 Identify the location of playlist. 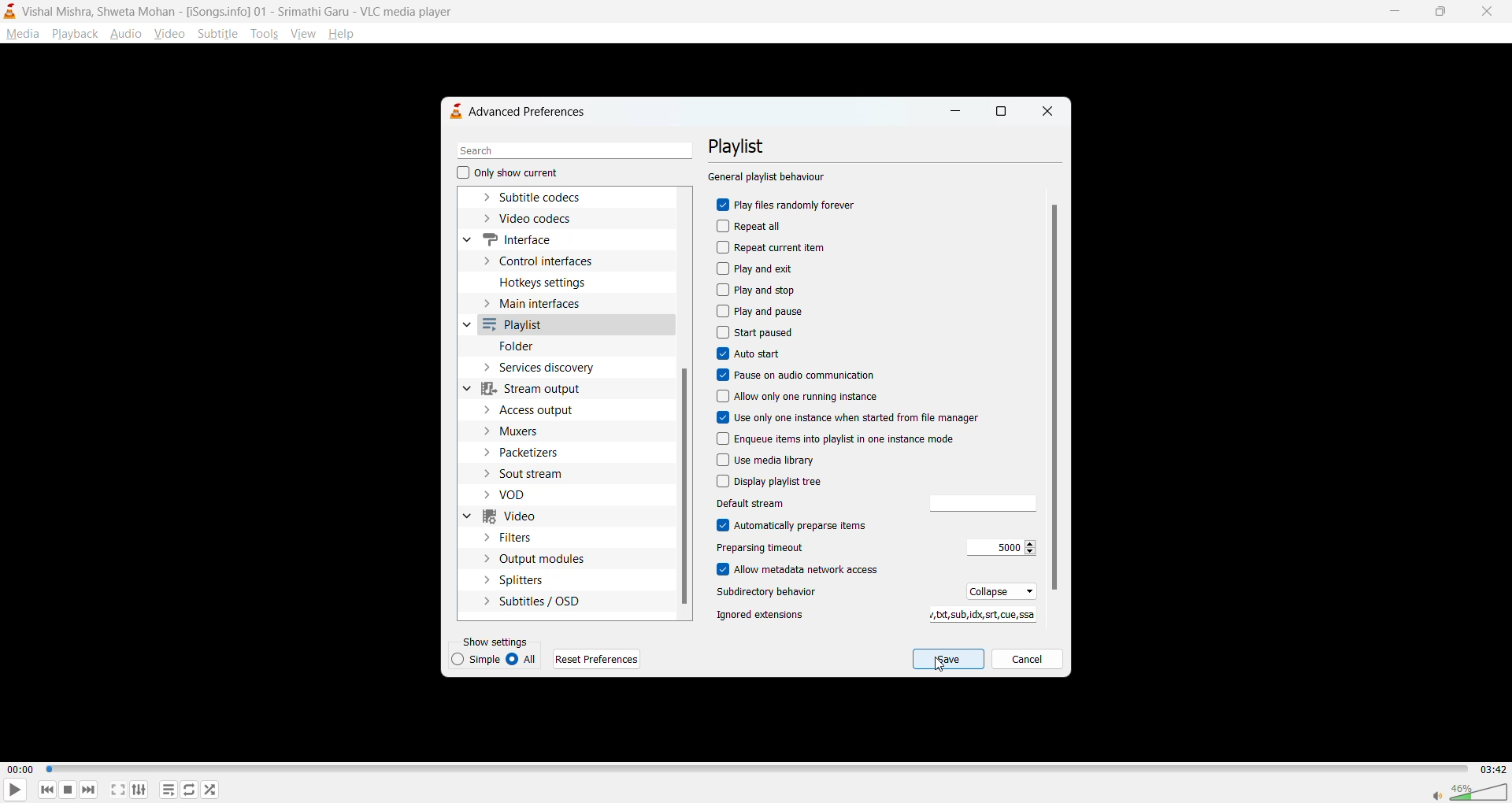
(746, 146).